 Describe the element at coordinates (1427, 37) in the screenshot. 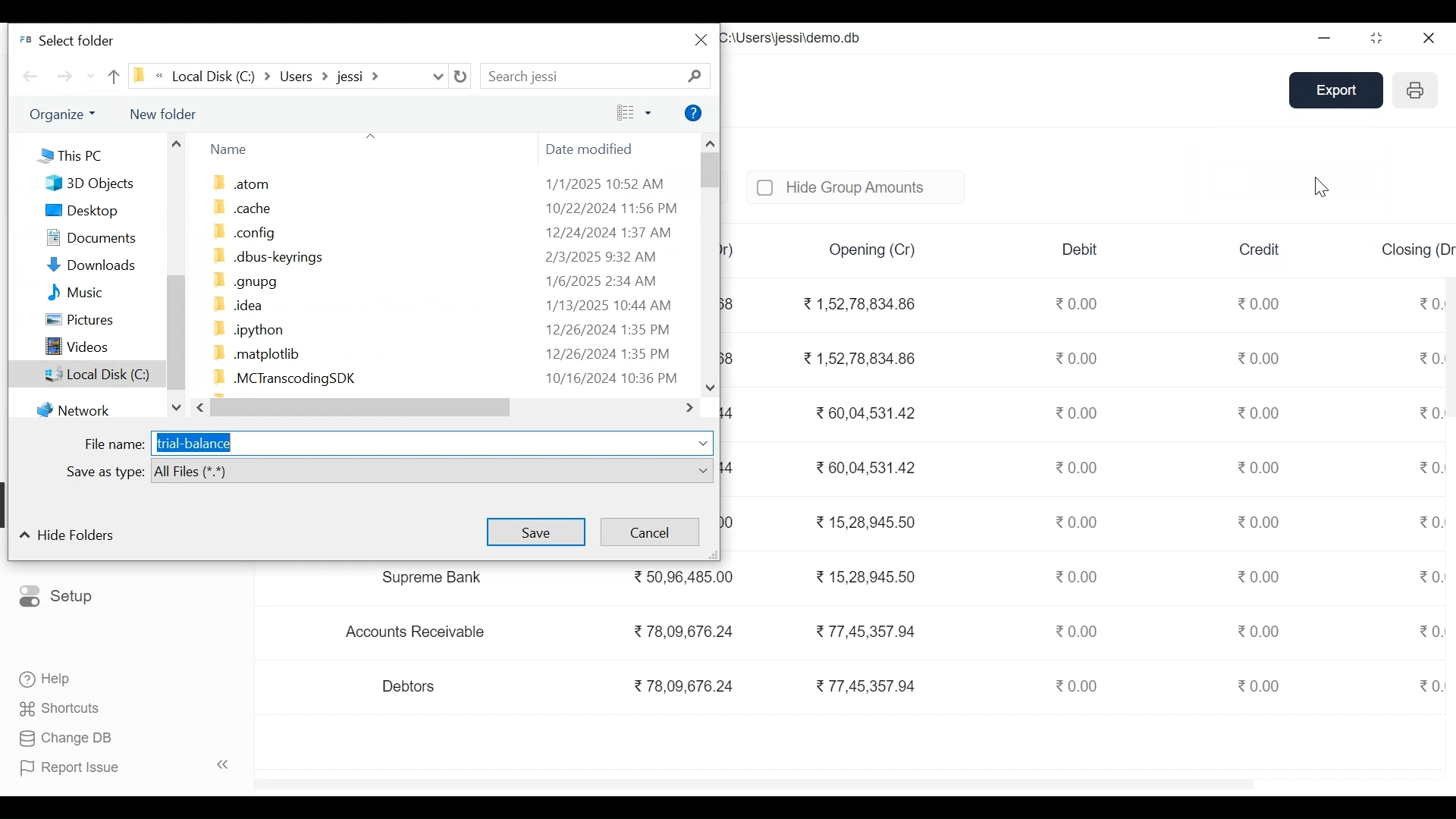

I see `Close` at that location.